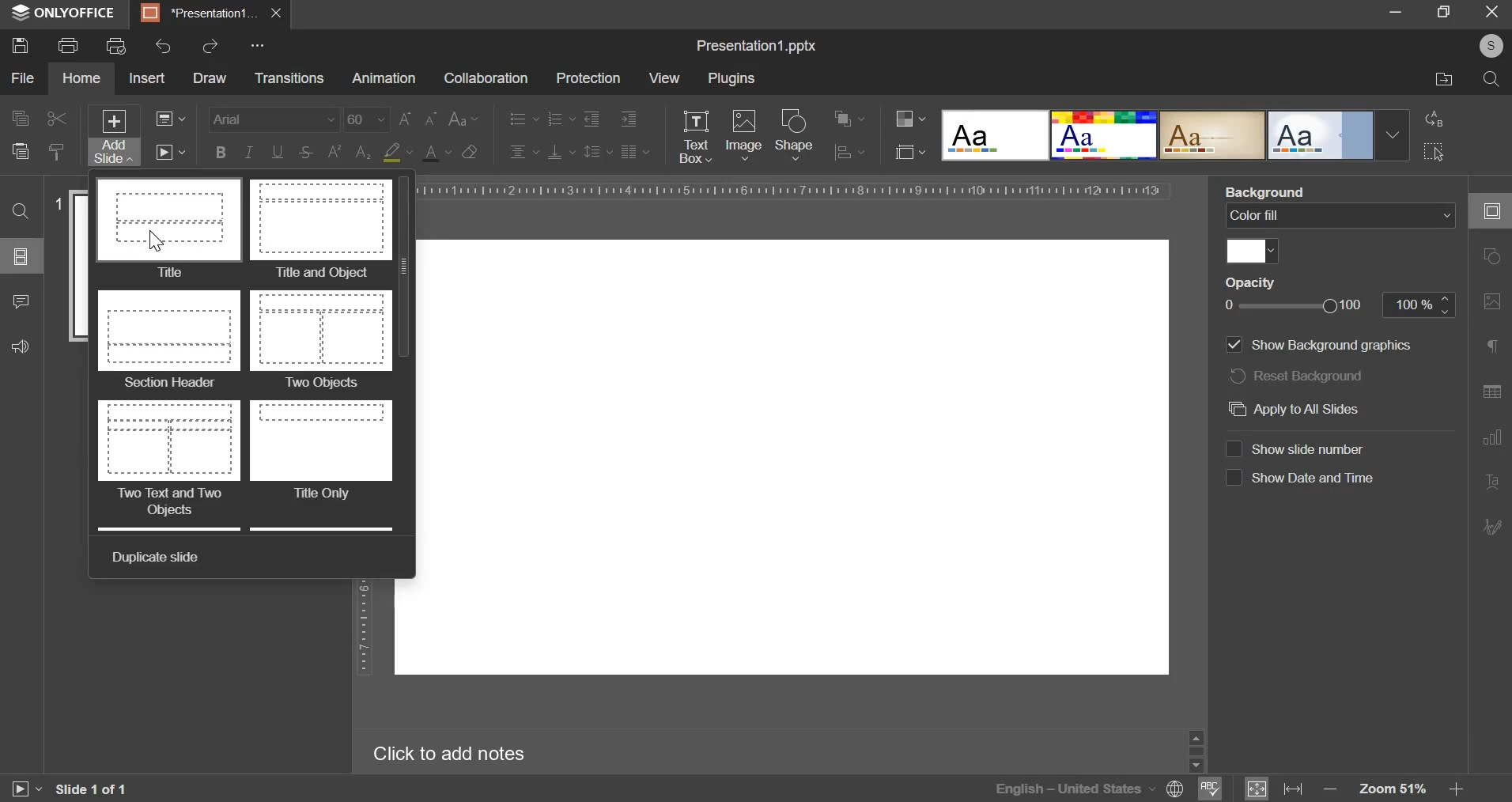 The height and width of the screenshot is (802, 1512). What do you see at coordinates (1298, 447) in the screenshot?
I see `show slide number` at bounding box center [1298, 447].